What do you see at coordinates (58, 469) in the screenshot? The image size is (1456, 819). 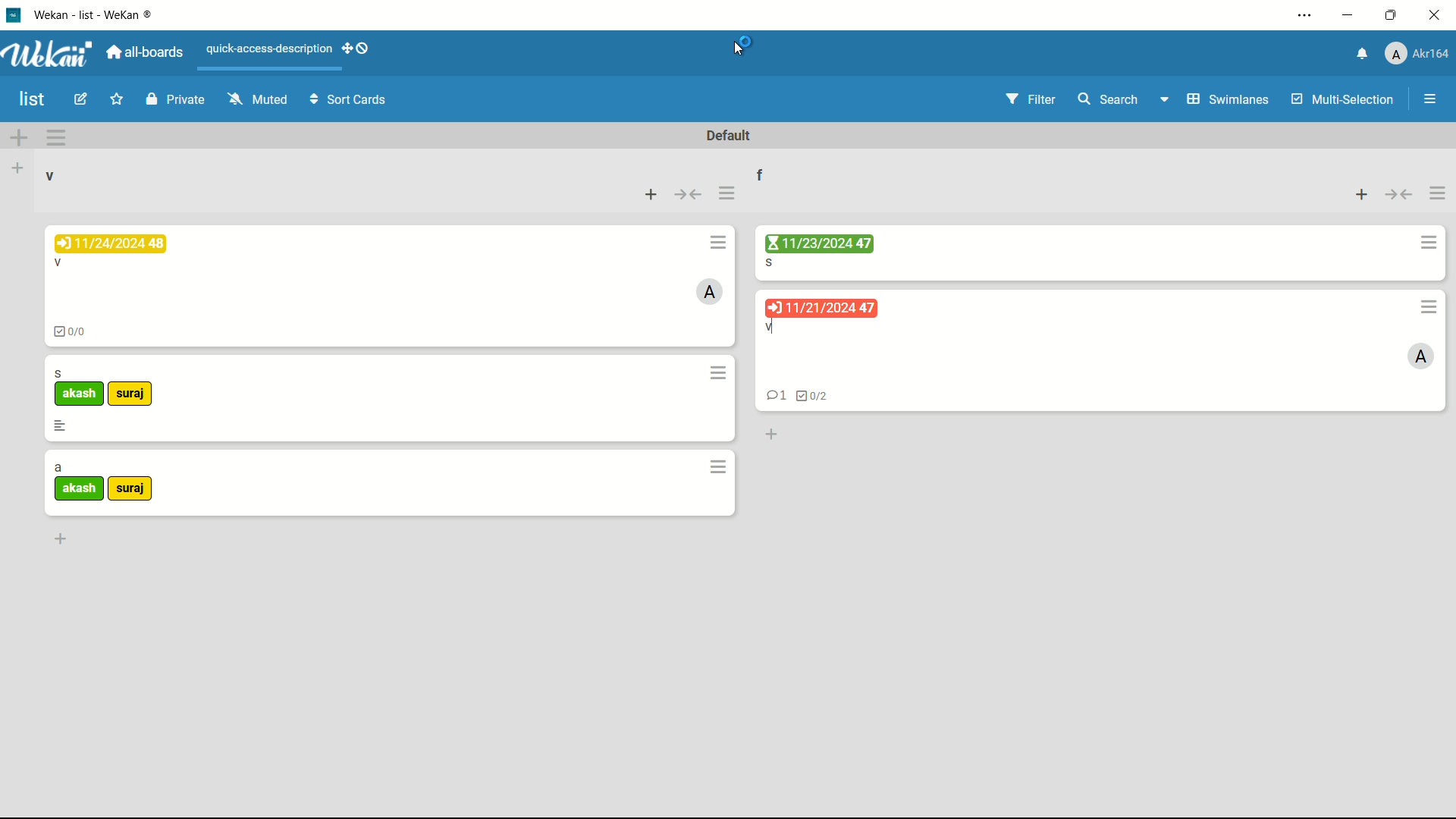 I see `card name` at bounding box center [58, 469].